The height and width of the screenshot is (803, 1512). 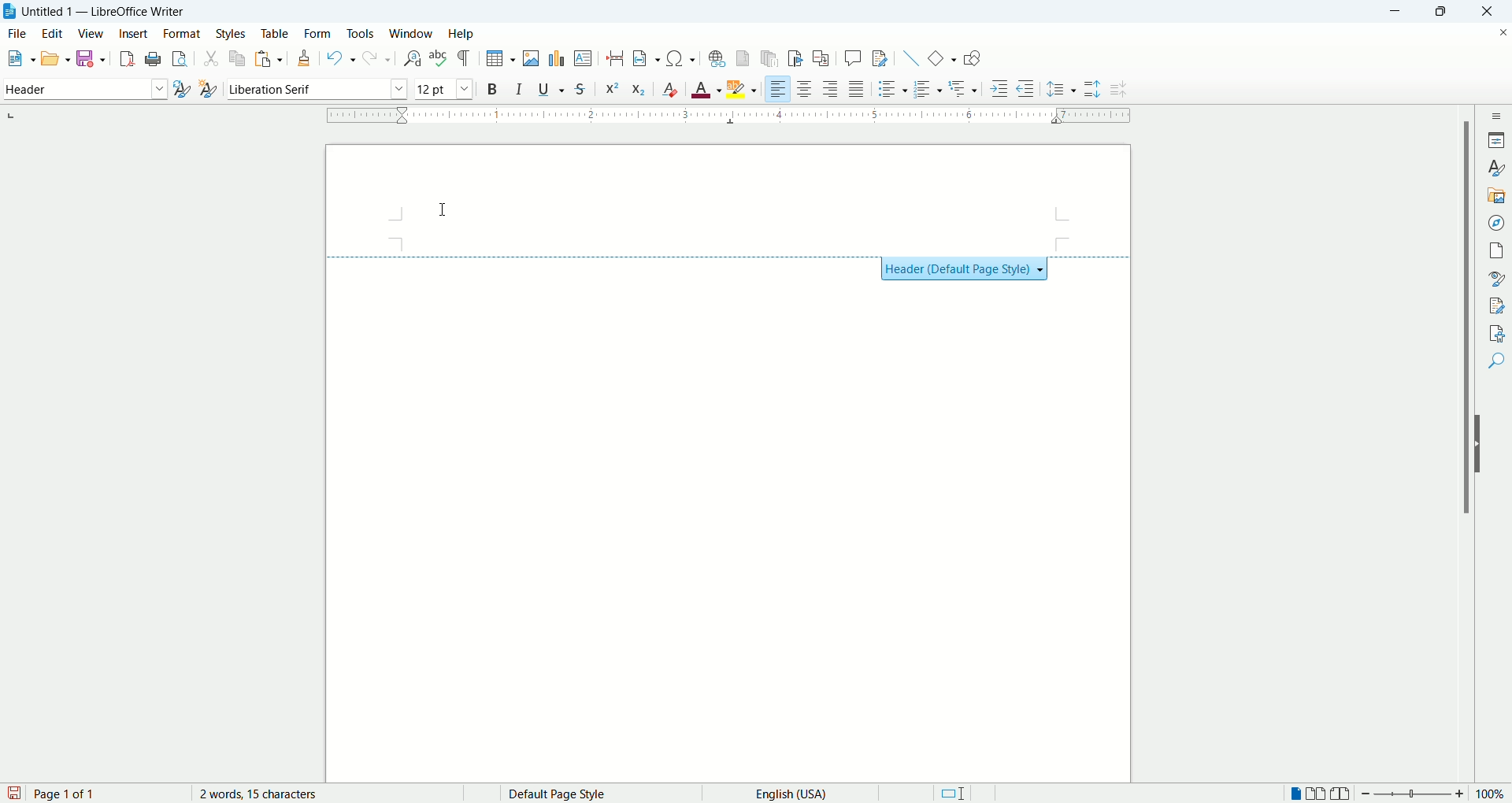 I want to click on clone formatting, so click(x=304, y=59).